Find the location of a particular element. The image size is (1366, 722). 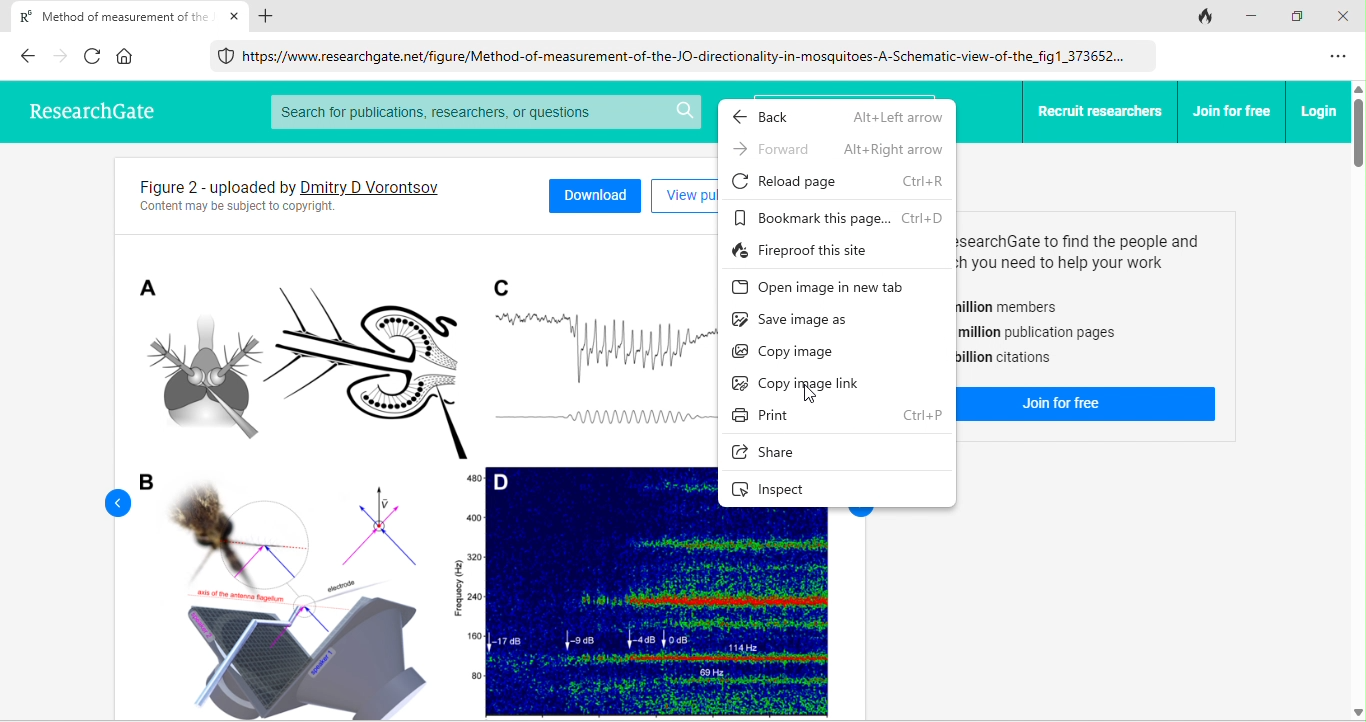

image is located at coordinates (421, 477).